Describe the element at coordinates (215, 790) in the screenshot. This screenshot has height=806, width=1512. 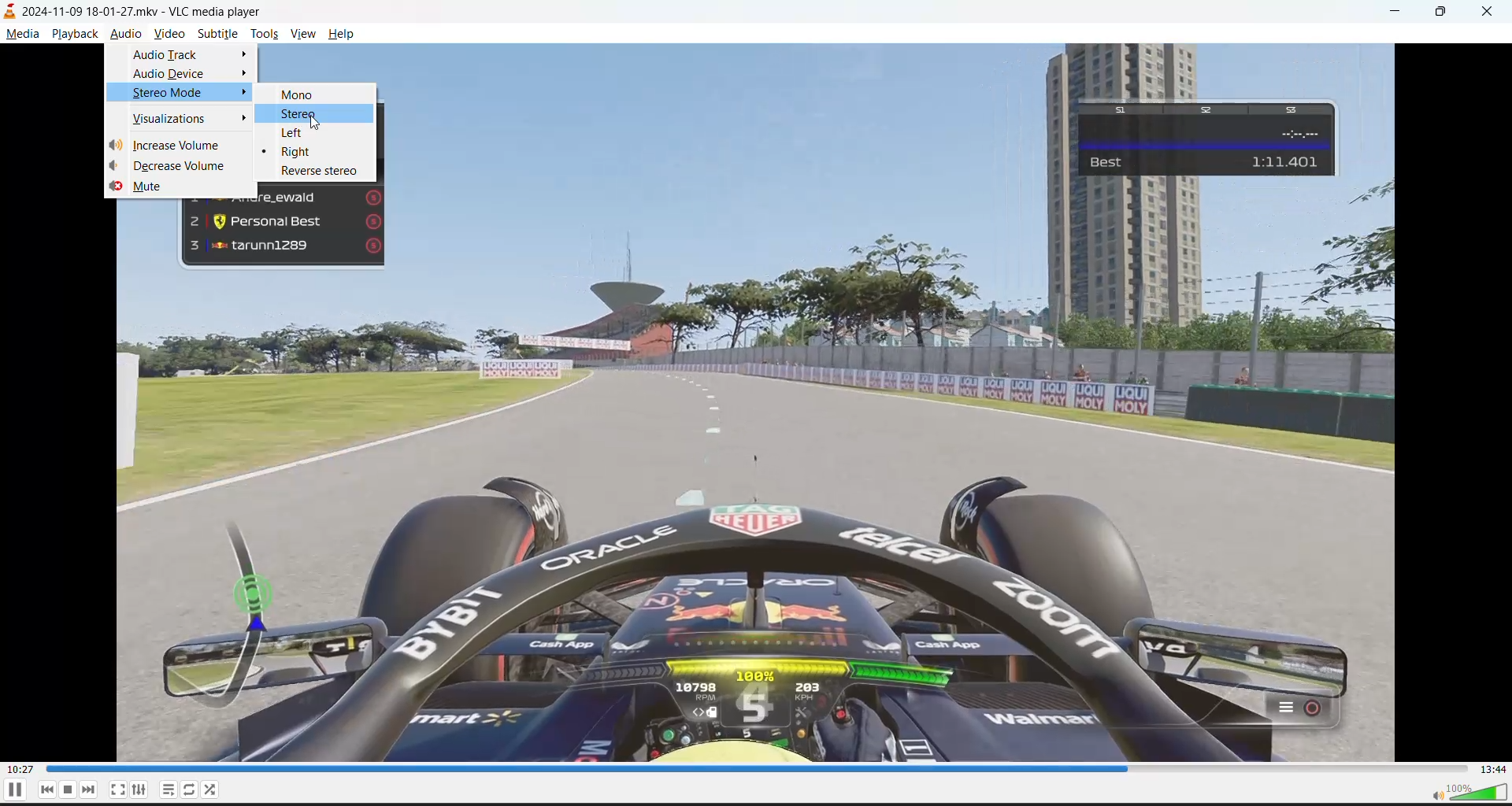
I see `random` at that location.